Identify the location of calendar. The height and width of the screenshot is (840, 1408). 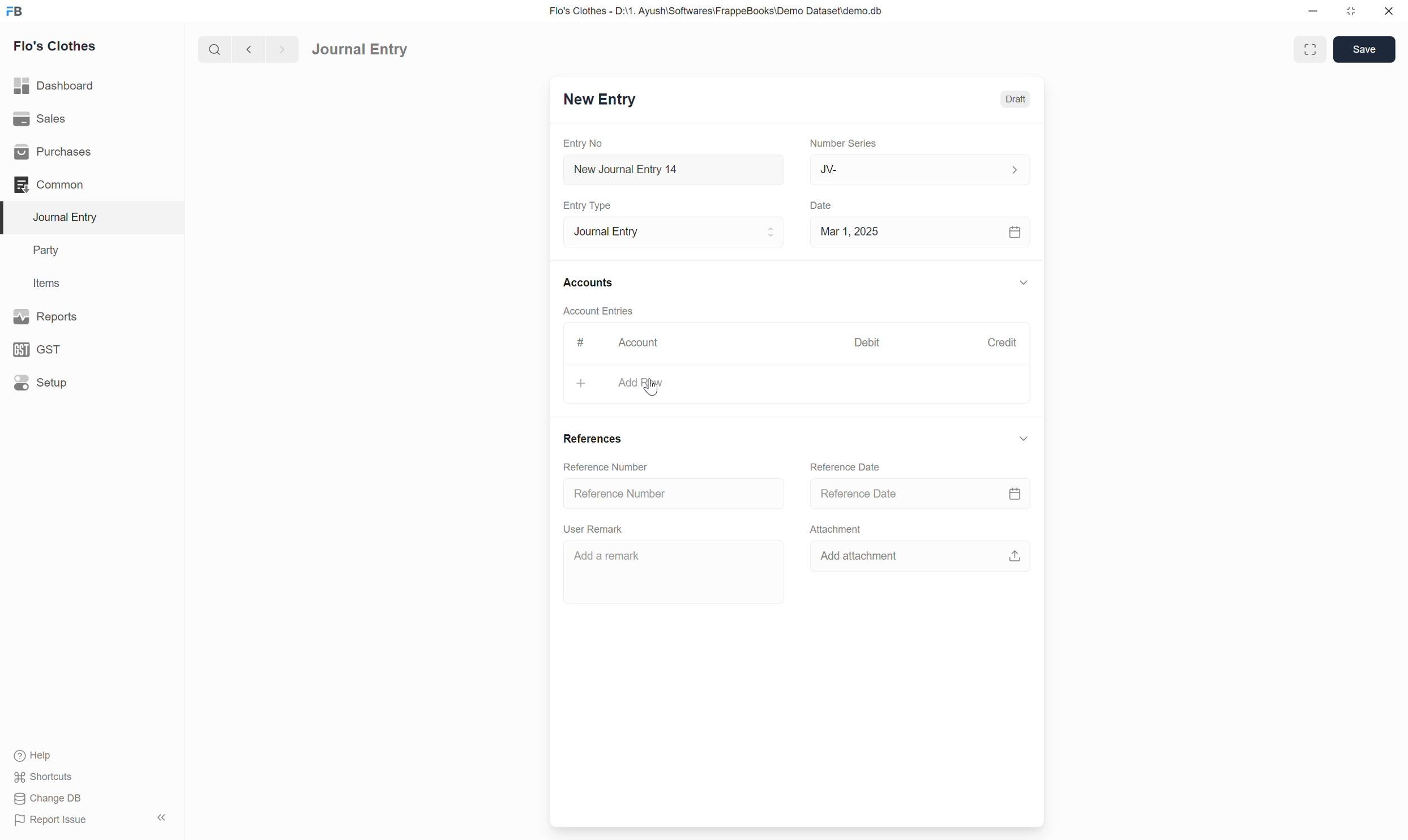
(1015, 491).